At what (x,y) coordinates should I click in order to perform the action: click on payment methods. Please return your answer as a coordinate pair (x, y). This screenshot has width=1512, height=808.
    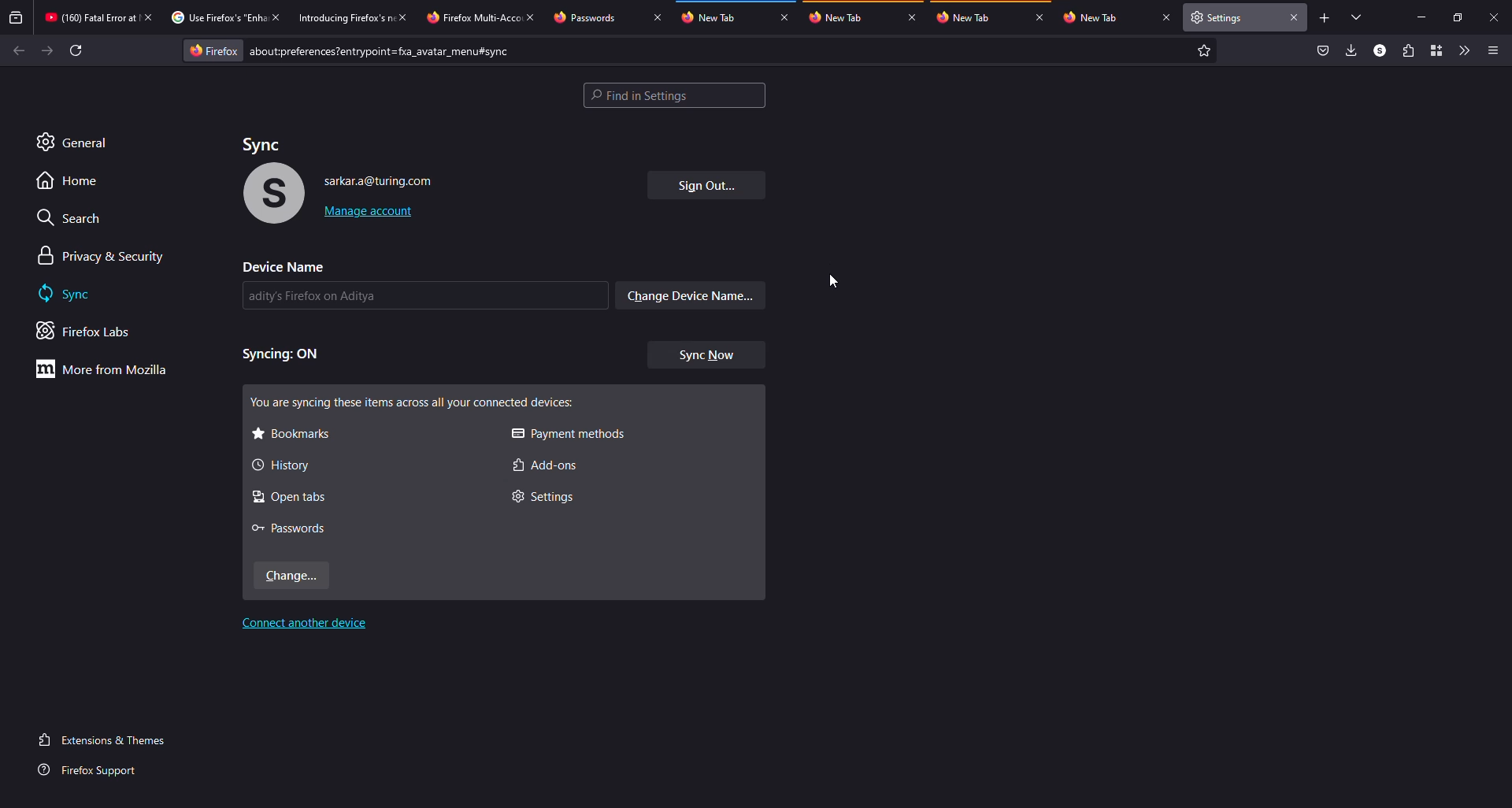
    Looking at the image, I should click on (569, 435).